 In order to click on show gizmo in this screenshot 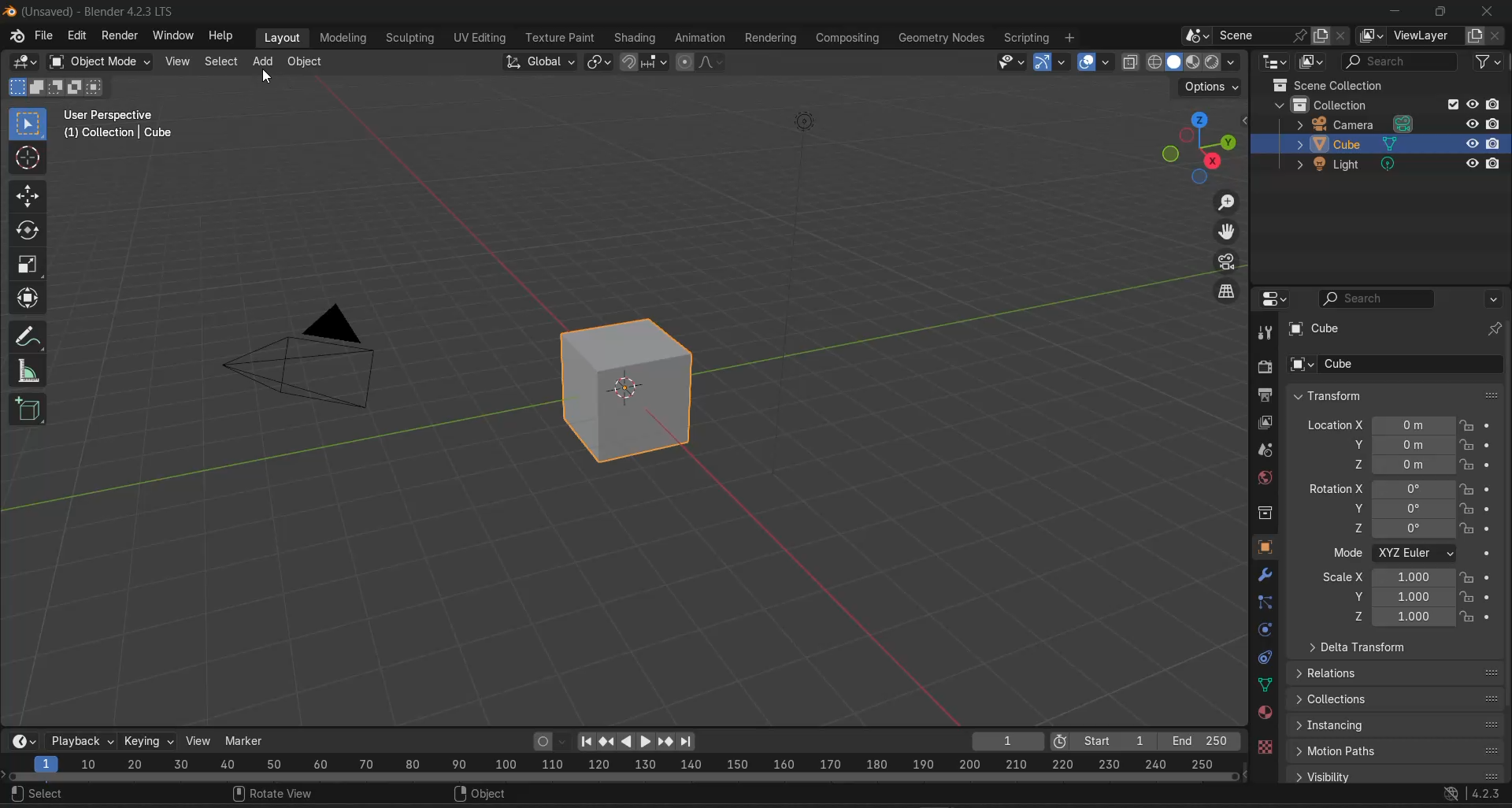, I will do `click(1041, 62)`.